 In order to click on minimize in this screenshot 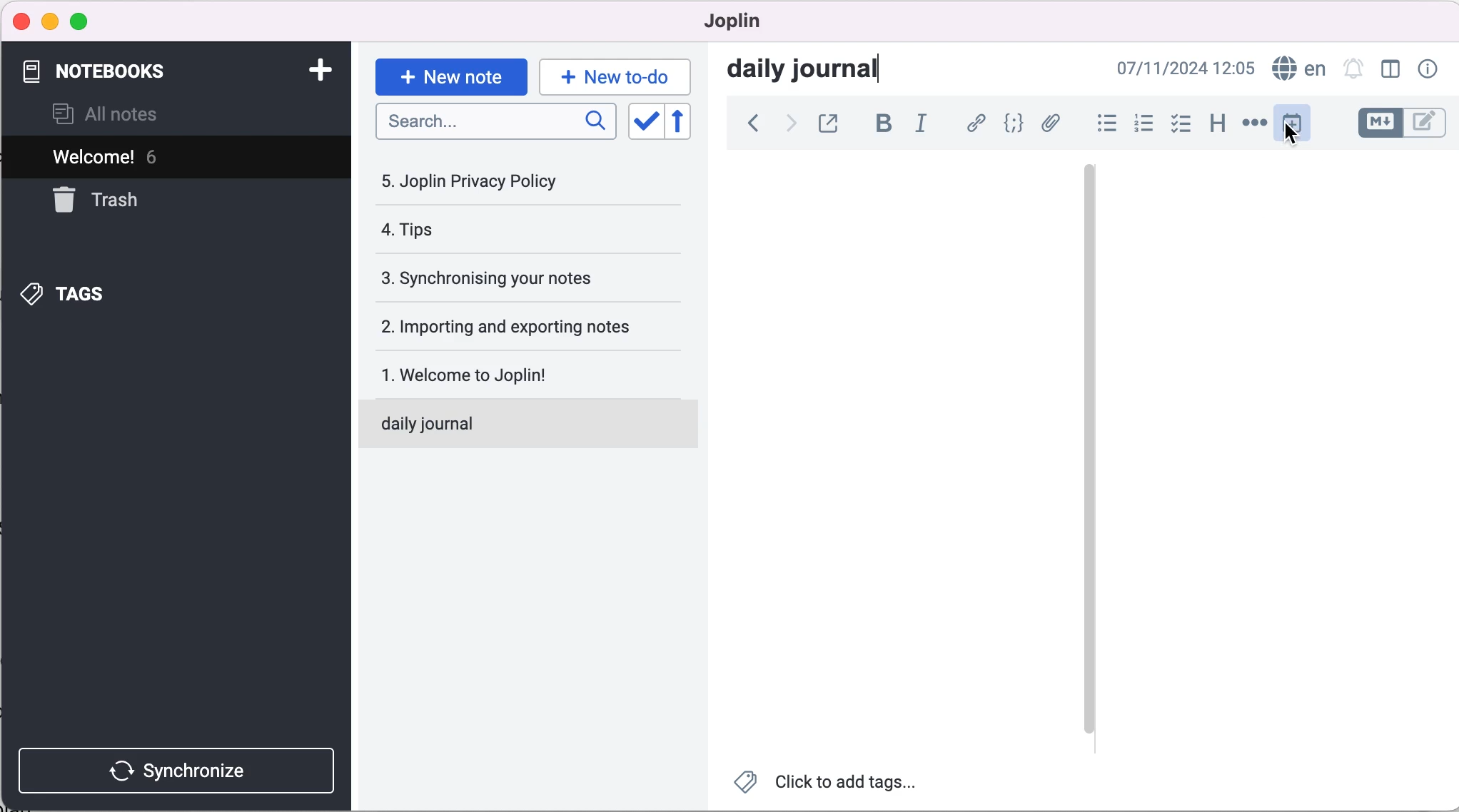, I will do `click(50, 21)`.